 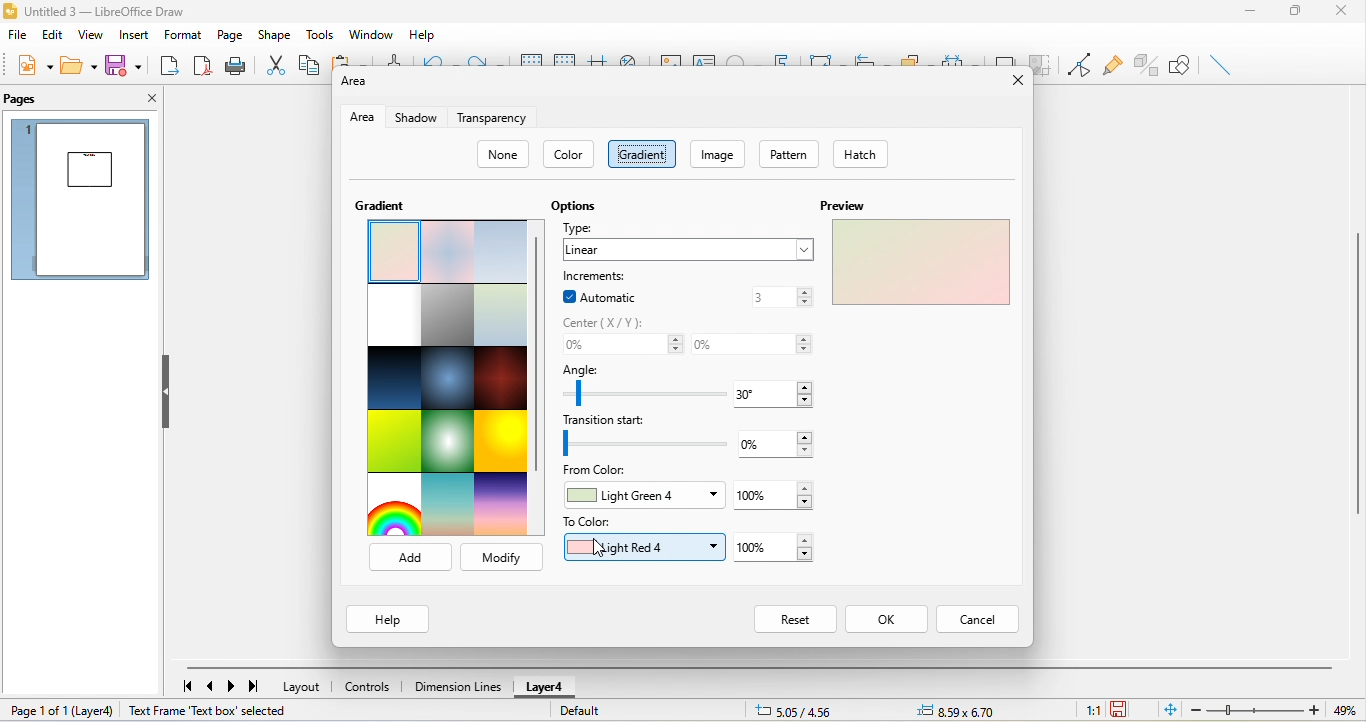 What do you see at coordinates (1253, 11) in the screenshot?
I see `minimize` at bounding box center [1253, 11].